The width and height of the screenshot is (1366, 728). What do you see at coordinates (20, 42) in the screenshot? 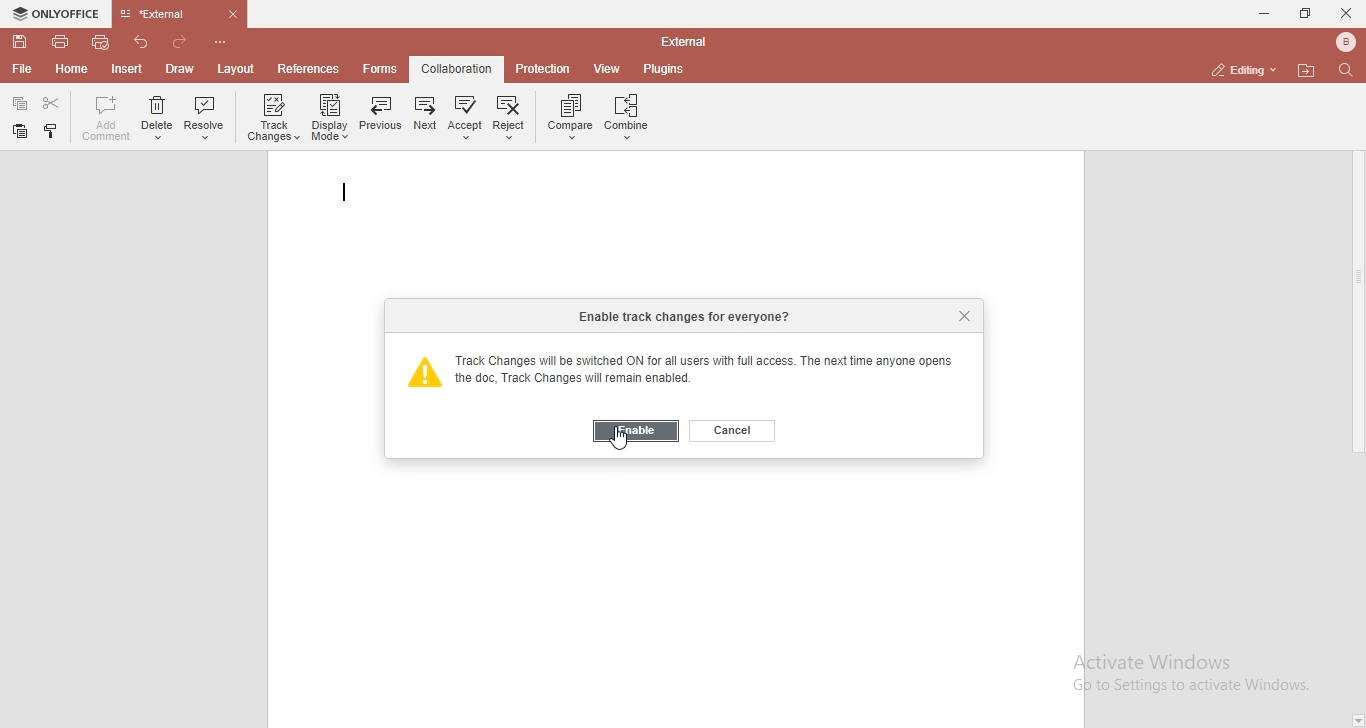
I see `save` at bounding box center [20, 42].